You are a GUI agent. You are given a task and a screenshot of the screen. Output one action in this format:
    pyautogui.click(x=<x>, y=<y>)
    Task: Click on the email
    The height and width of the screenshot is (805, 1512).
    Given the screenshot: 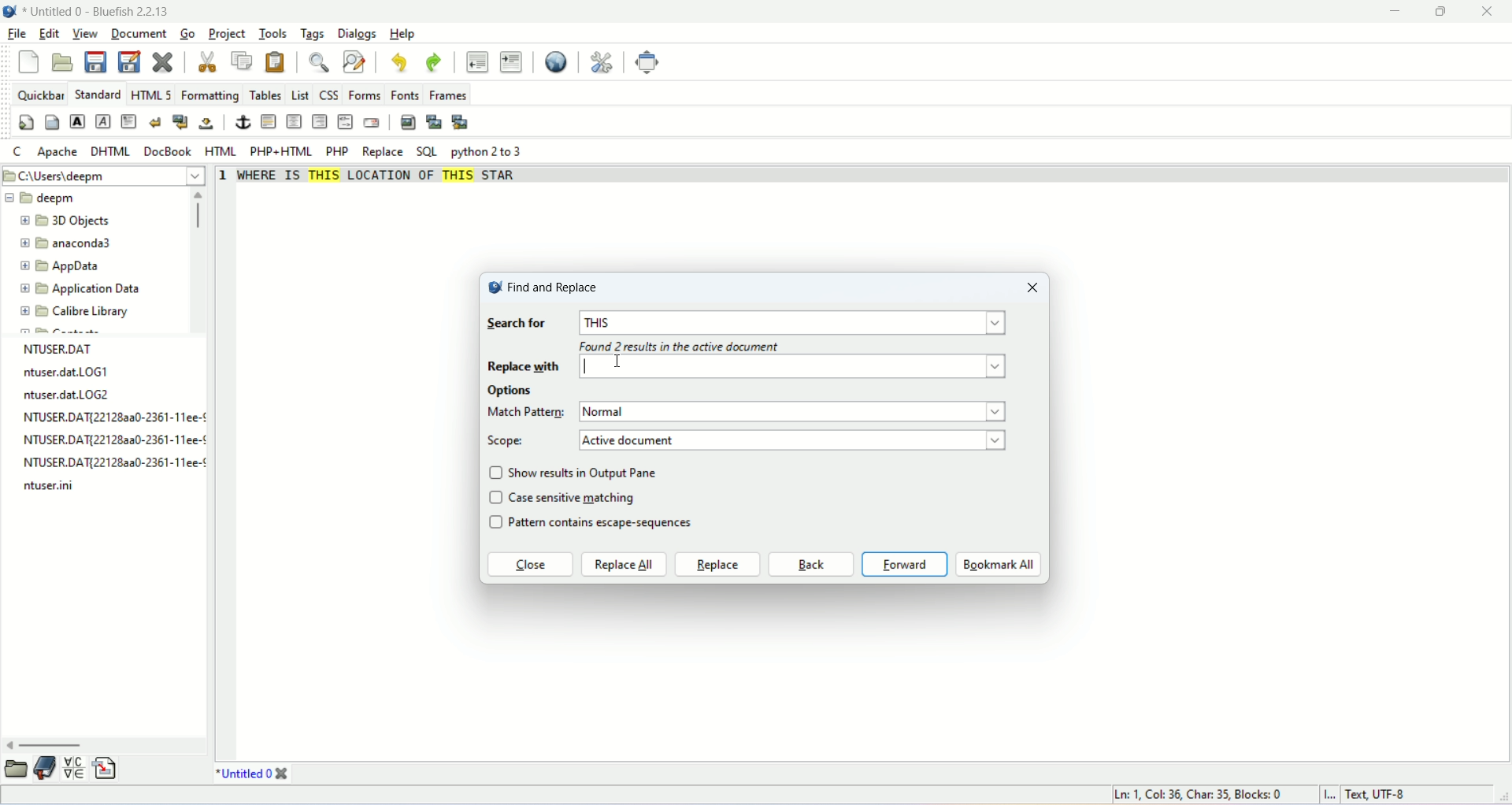 What is the action you would take?
    pyautogui.click(x=372, y=122)
    